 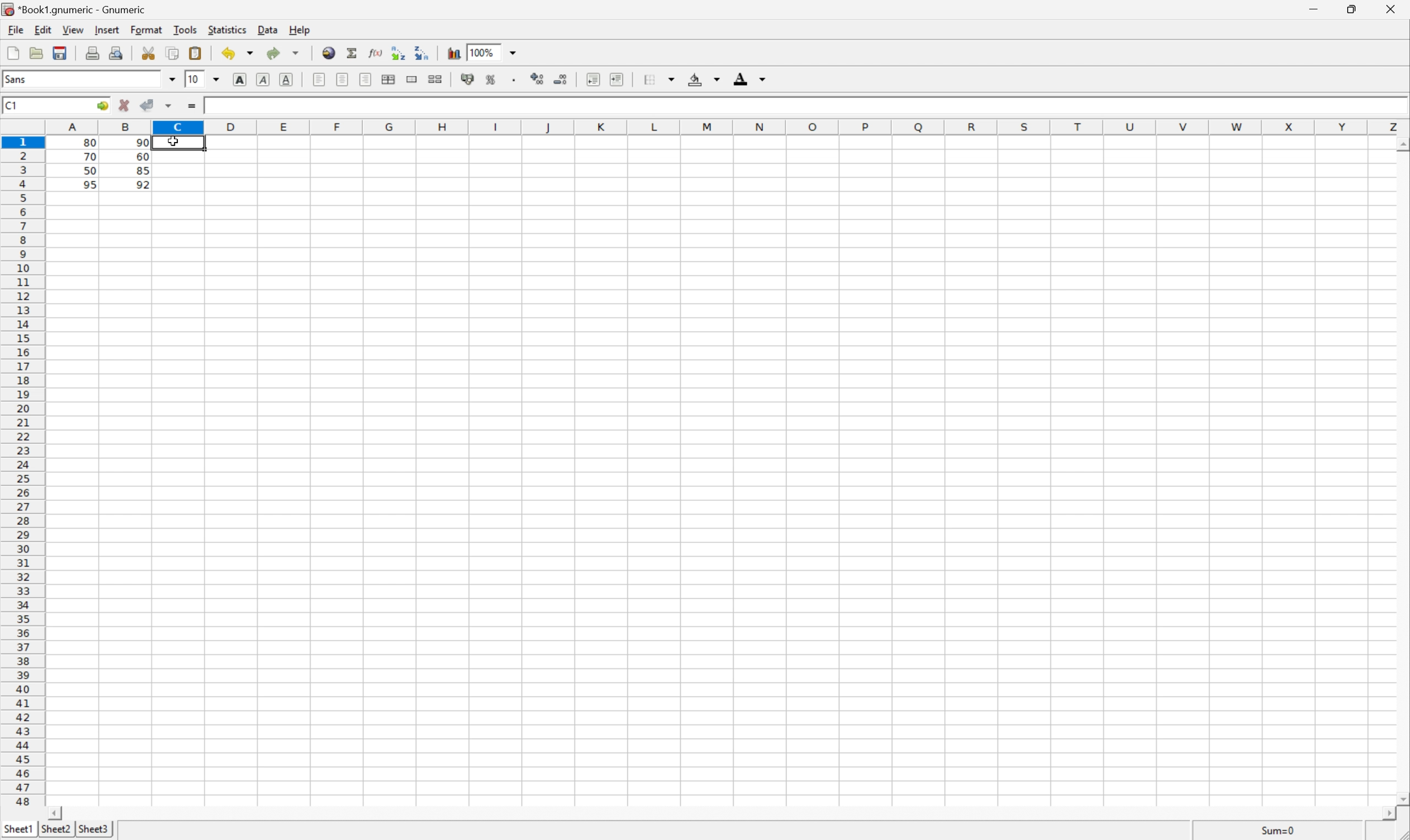 What do you see at coordinates (146, 105) in the screenshot?
I see `Accept changes` at bounding box center [146, 105].